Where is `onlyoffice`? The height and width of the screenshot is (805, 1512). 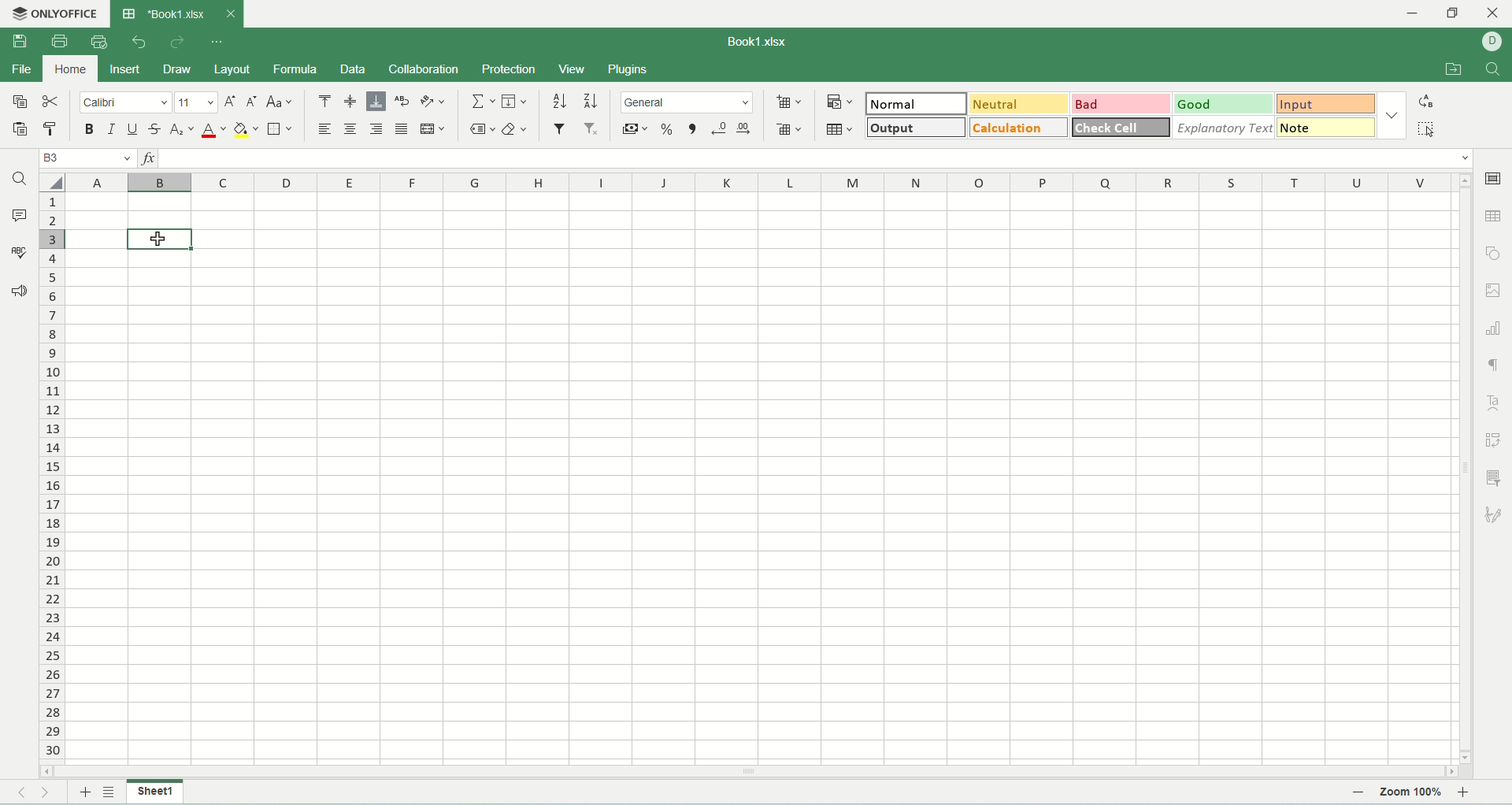
onlyoffice is located at coordinates (57, 14).